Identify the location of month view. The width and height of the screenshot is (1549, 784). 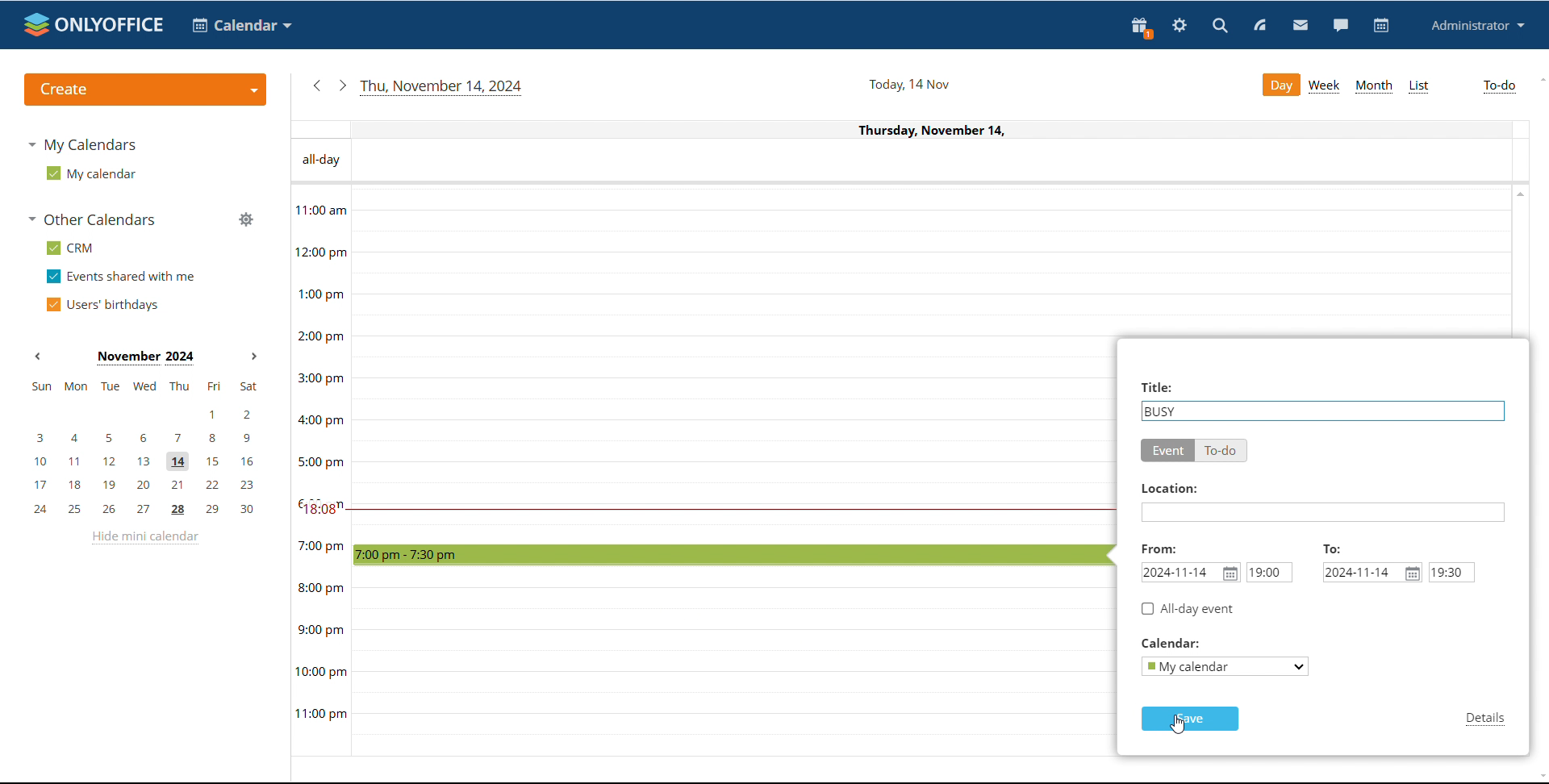
(1373, 87).